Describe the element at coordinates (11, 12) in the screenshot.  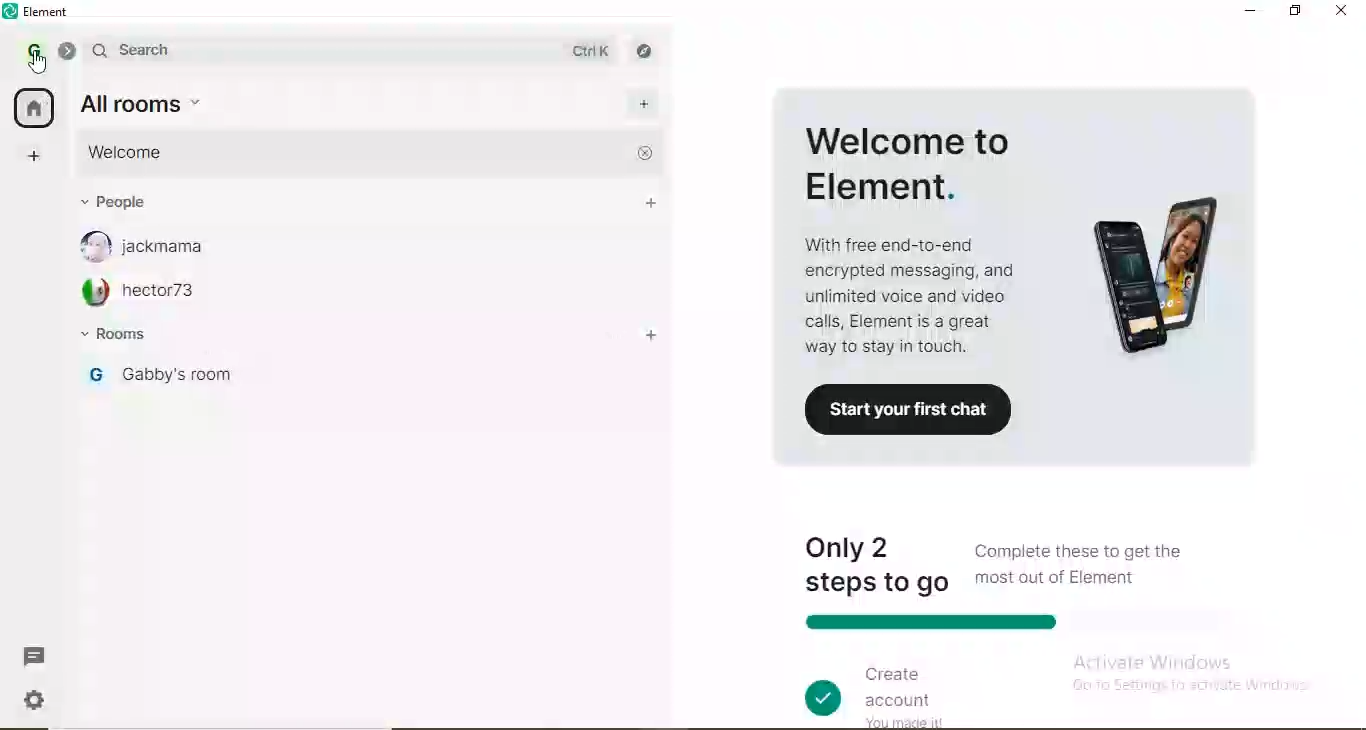
I see `element logo` at that location.